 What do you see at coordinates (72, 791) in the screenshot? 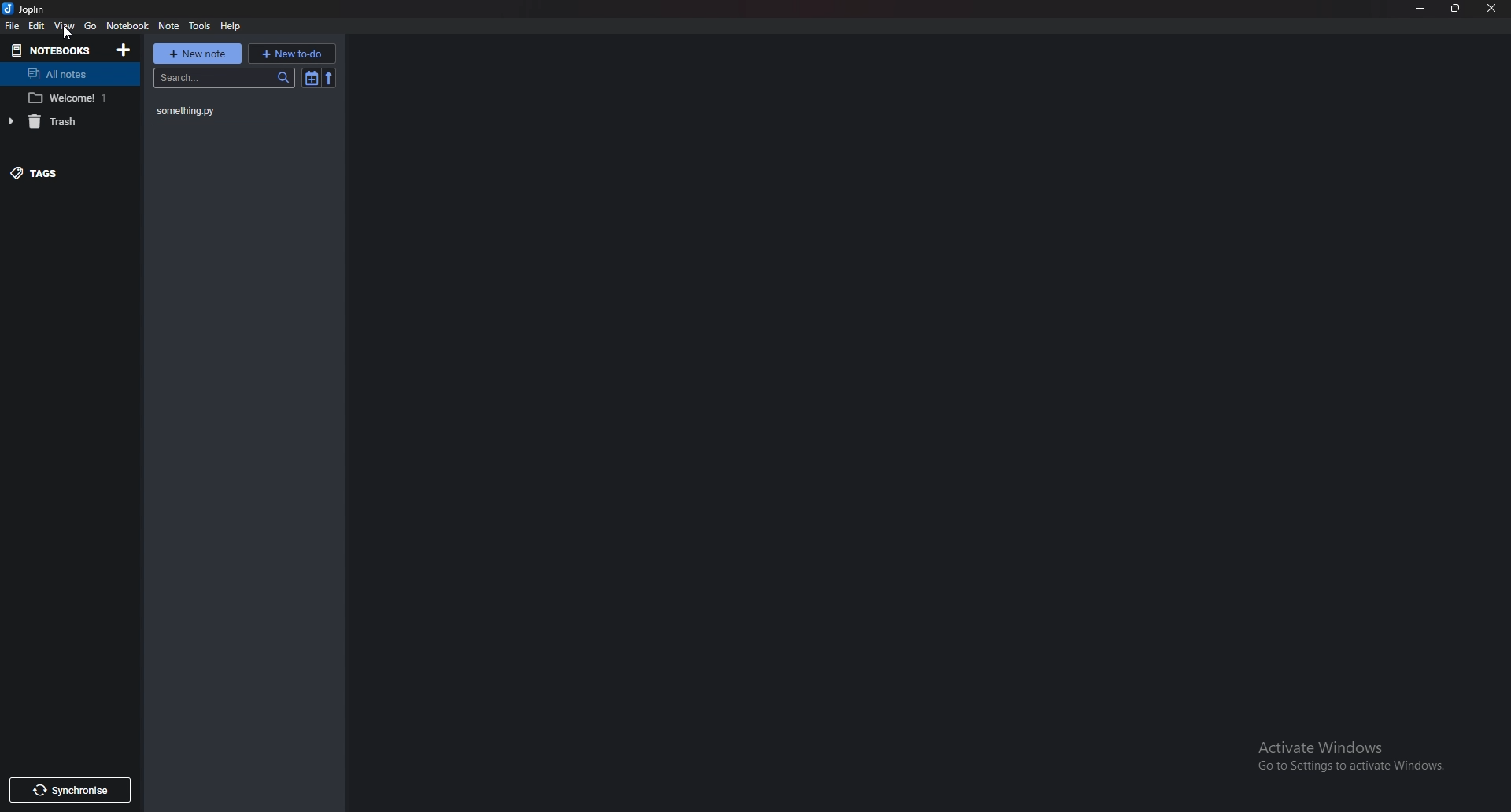
I see `Synchronize` at bounding box center [72, 791].